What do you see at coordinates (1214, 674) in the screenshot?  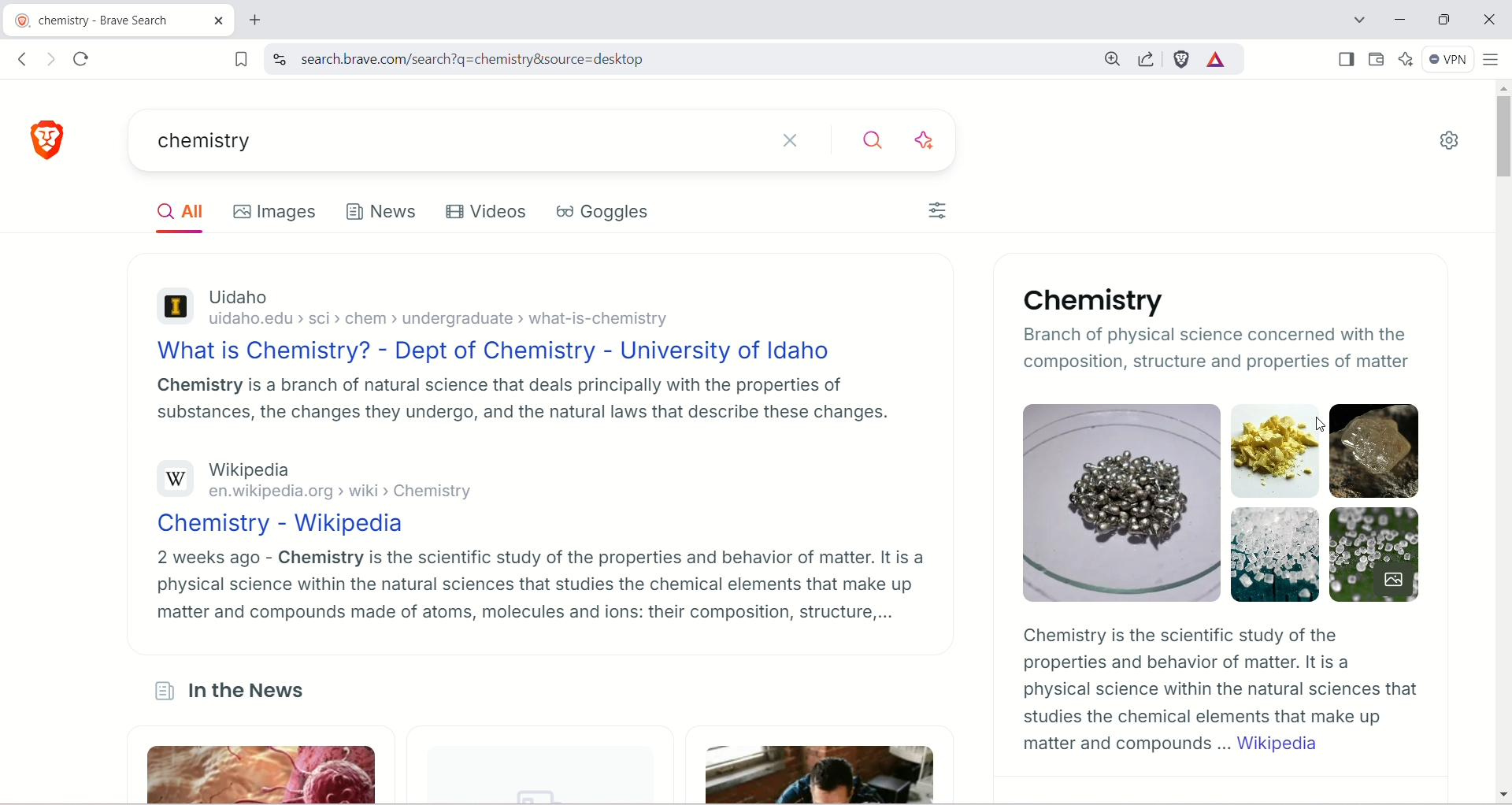 I see `Chemistry is the scientific study of the
properties and behavior of matter. It is a
physical science within the natural sciences that
studies the chemical elements that make up` at bounding box center [1214, 674].